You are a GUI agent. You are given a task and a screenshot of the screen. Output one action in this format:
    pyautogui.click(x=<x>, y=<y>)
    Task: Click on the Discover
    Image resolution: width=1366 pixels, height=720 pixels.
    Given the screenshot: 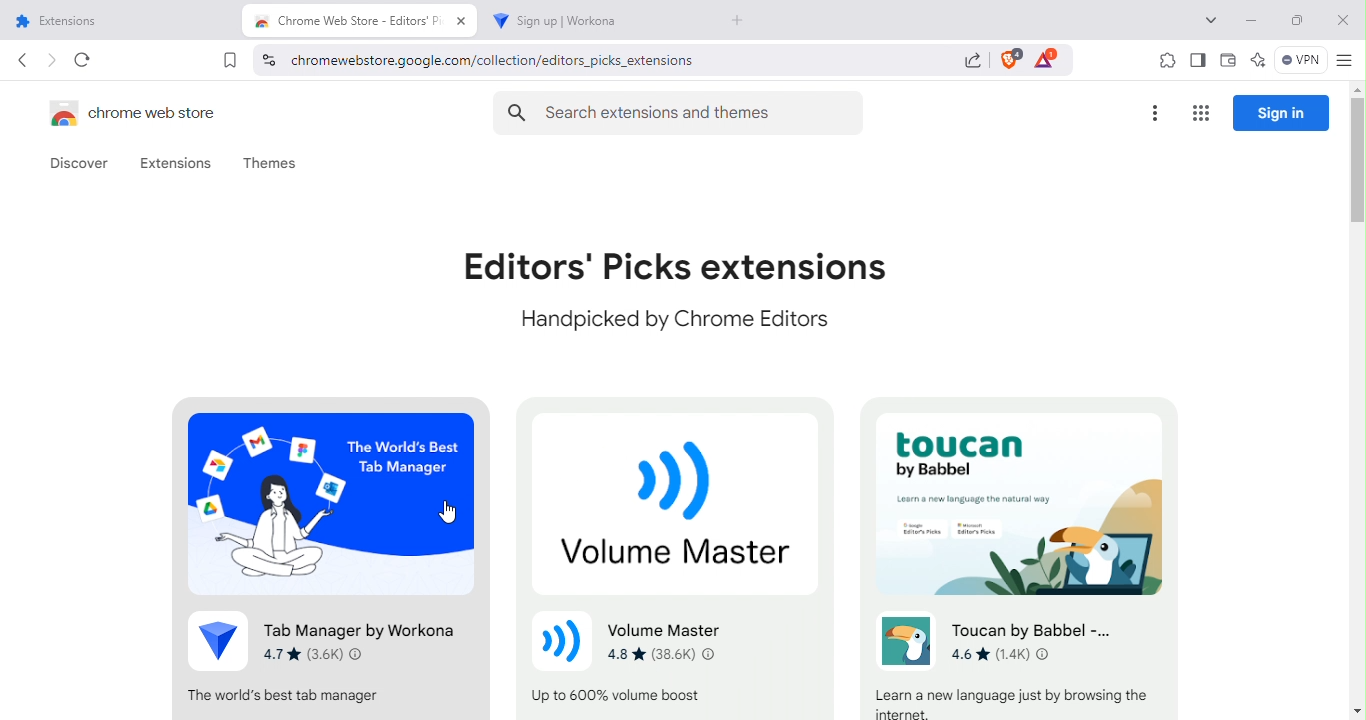 What is the action you would take?
    pyautogui.click(x=81, y=164)
    